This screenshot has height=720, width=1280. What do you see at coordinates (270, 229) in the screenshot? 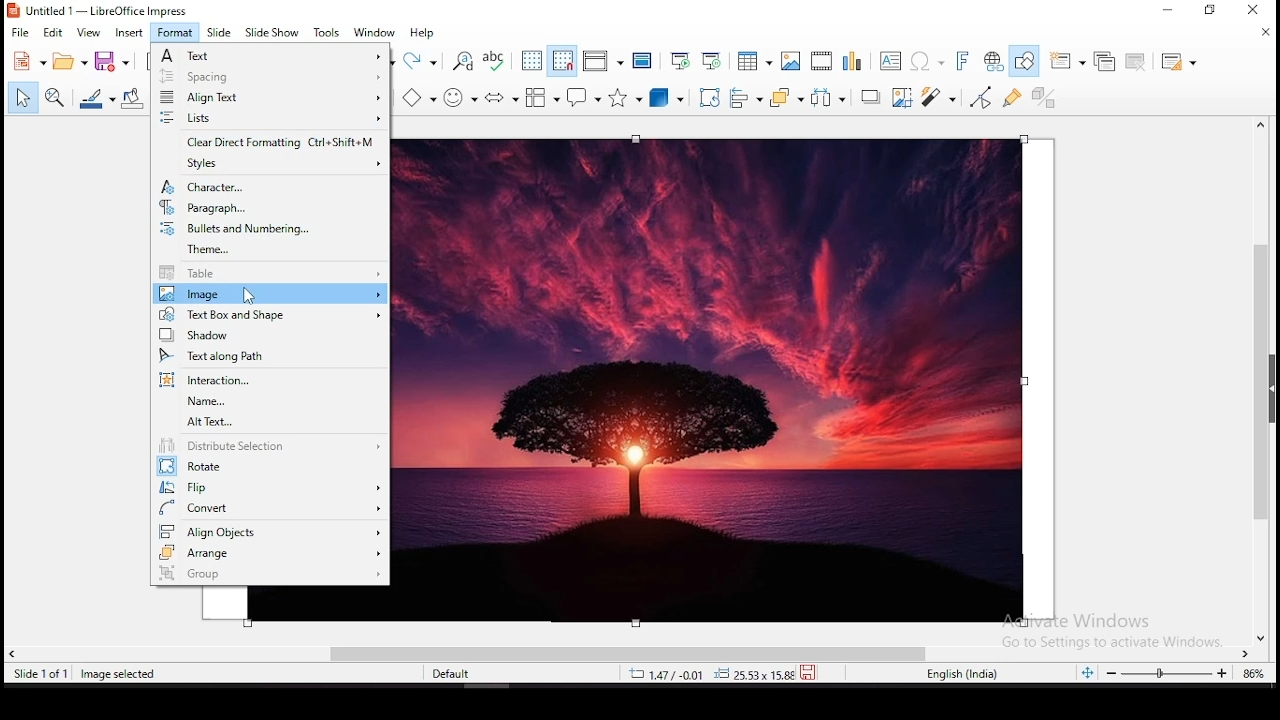
I see `bullets and numbering` at bounding box center [270, 229].